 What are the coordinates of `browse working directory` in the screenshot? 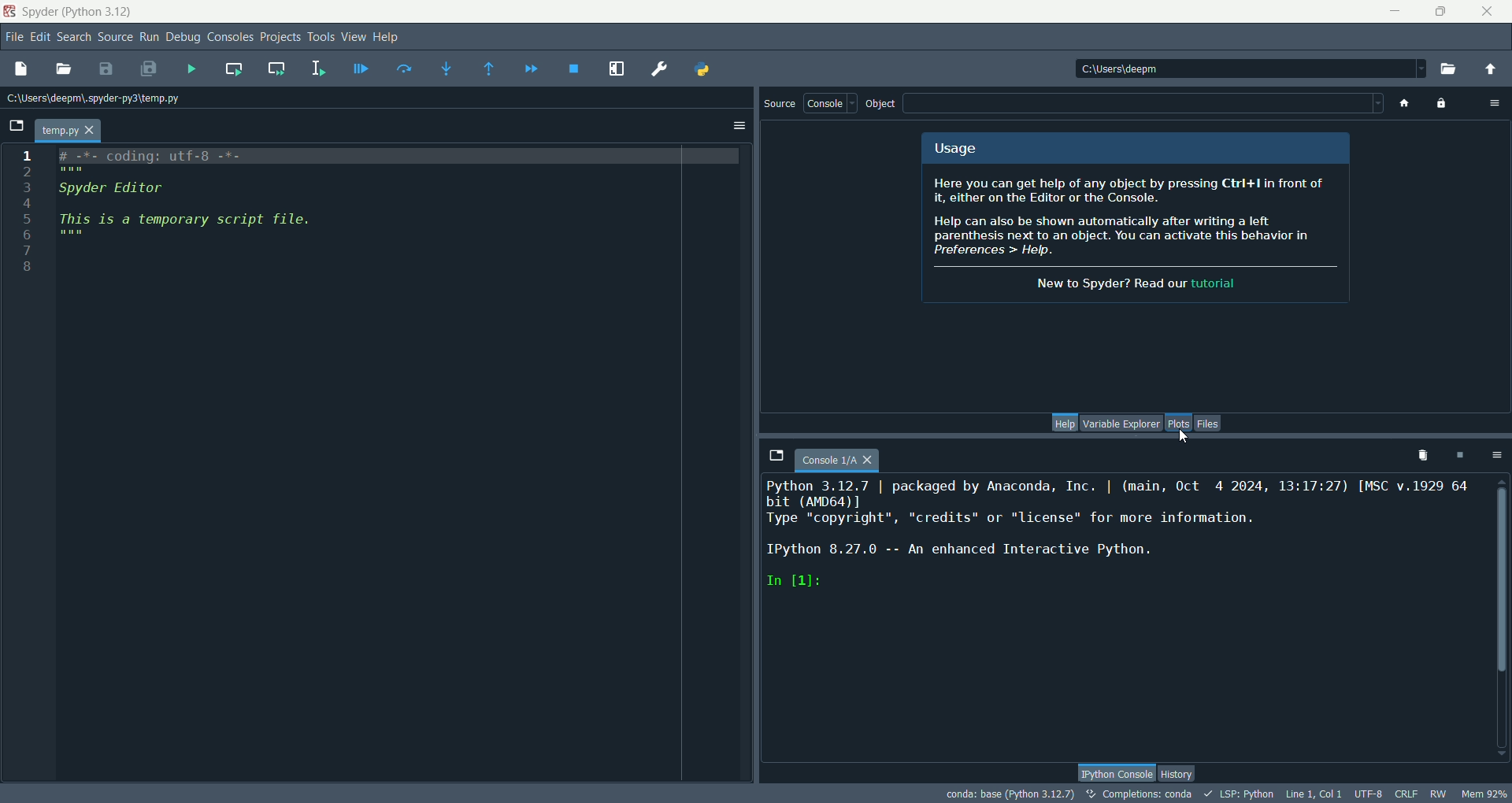 It's located at (1449, 71).